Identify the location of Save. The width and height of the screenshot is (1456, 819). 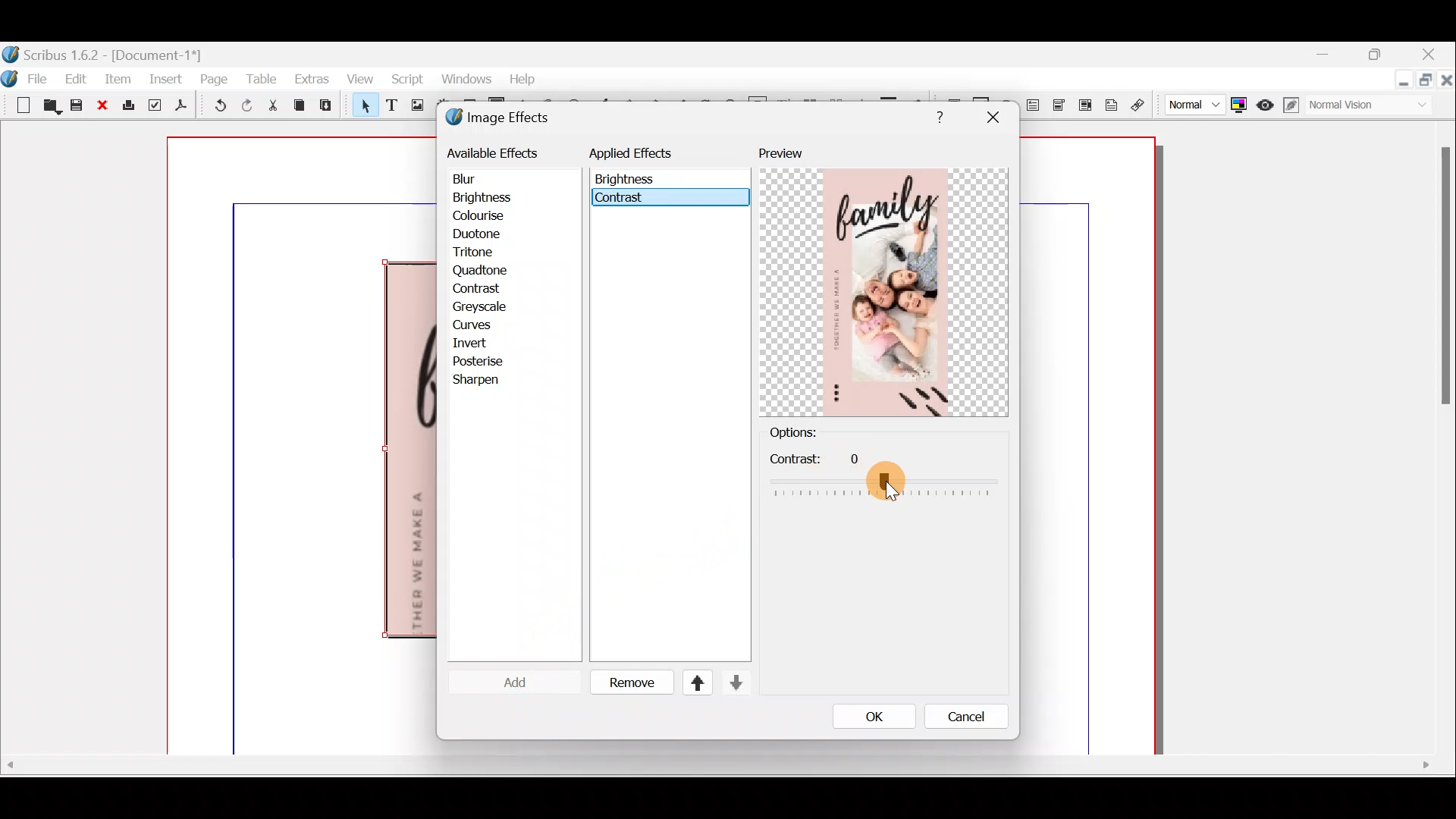
(77, 107).